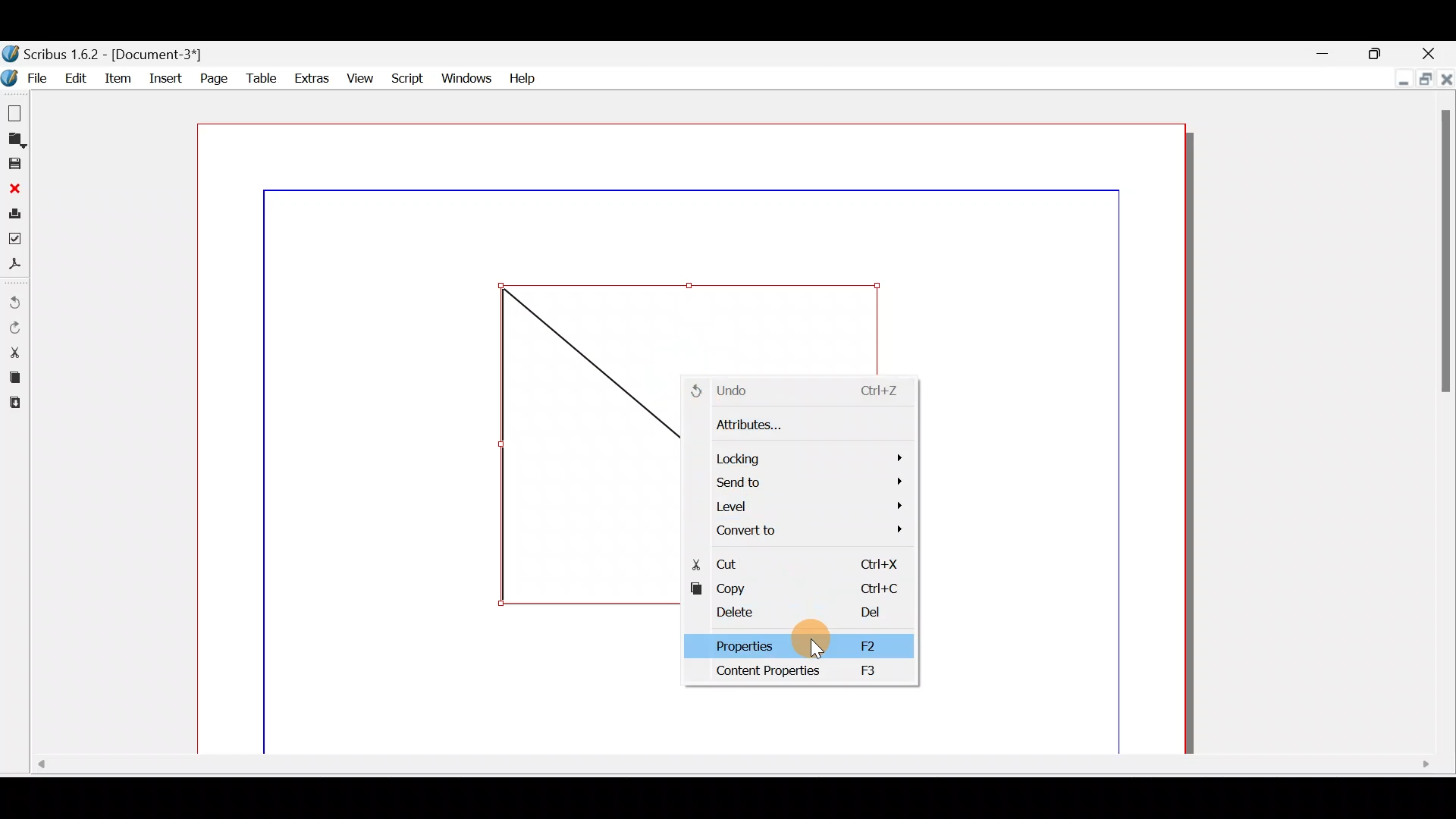 The width and height of the screenshot is (1456, 819). Describe the element at coordinates (15, 111) in the screenshot. I see `New` at that location.